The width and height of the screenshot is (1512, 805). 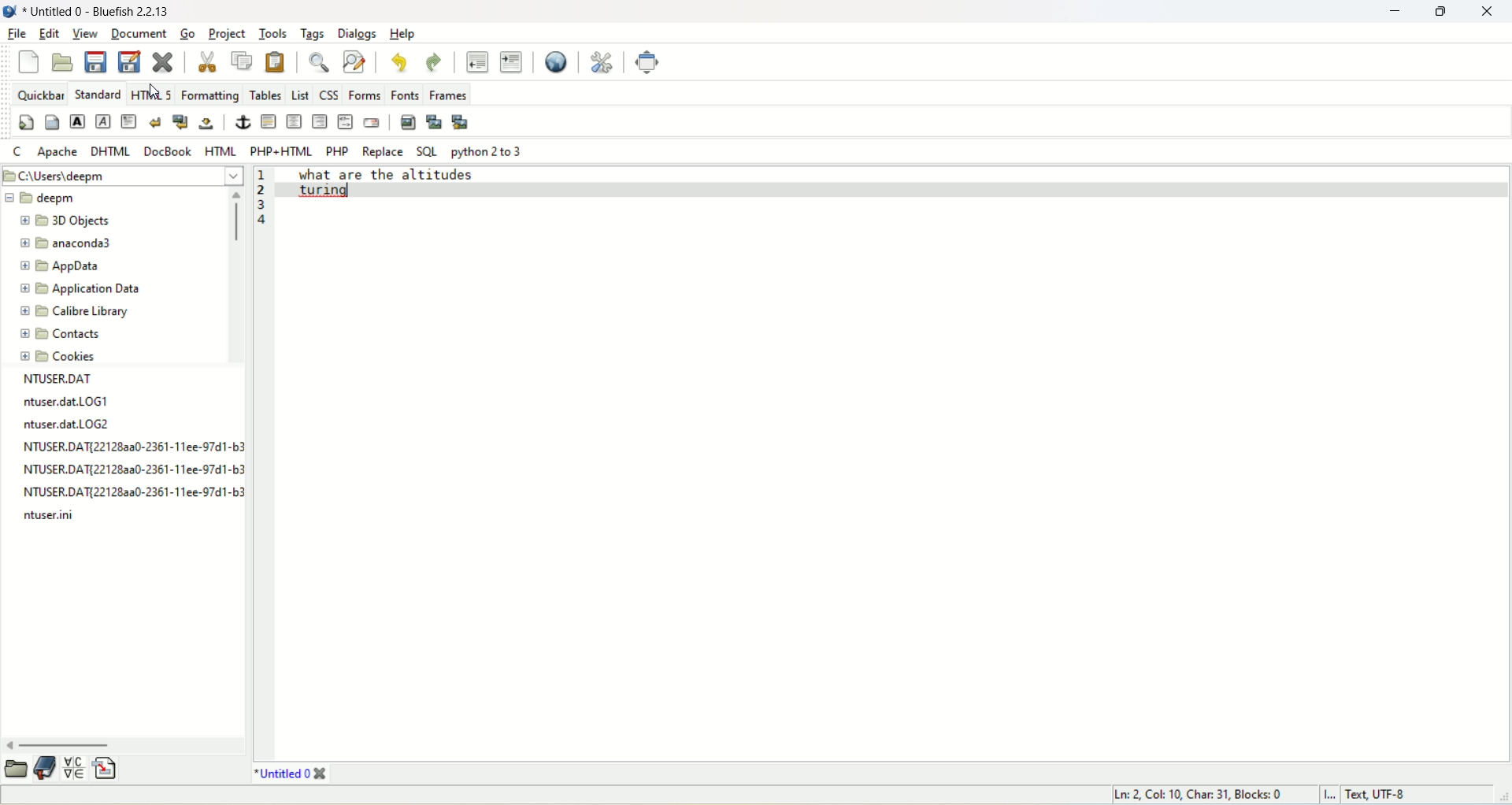 I want to click on vertical scroll bar, so click(x=234, y=276).